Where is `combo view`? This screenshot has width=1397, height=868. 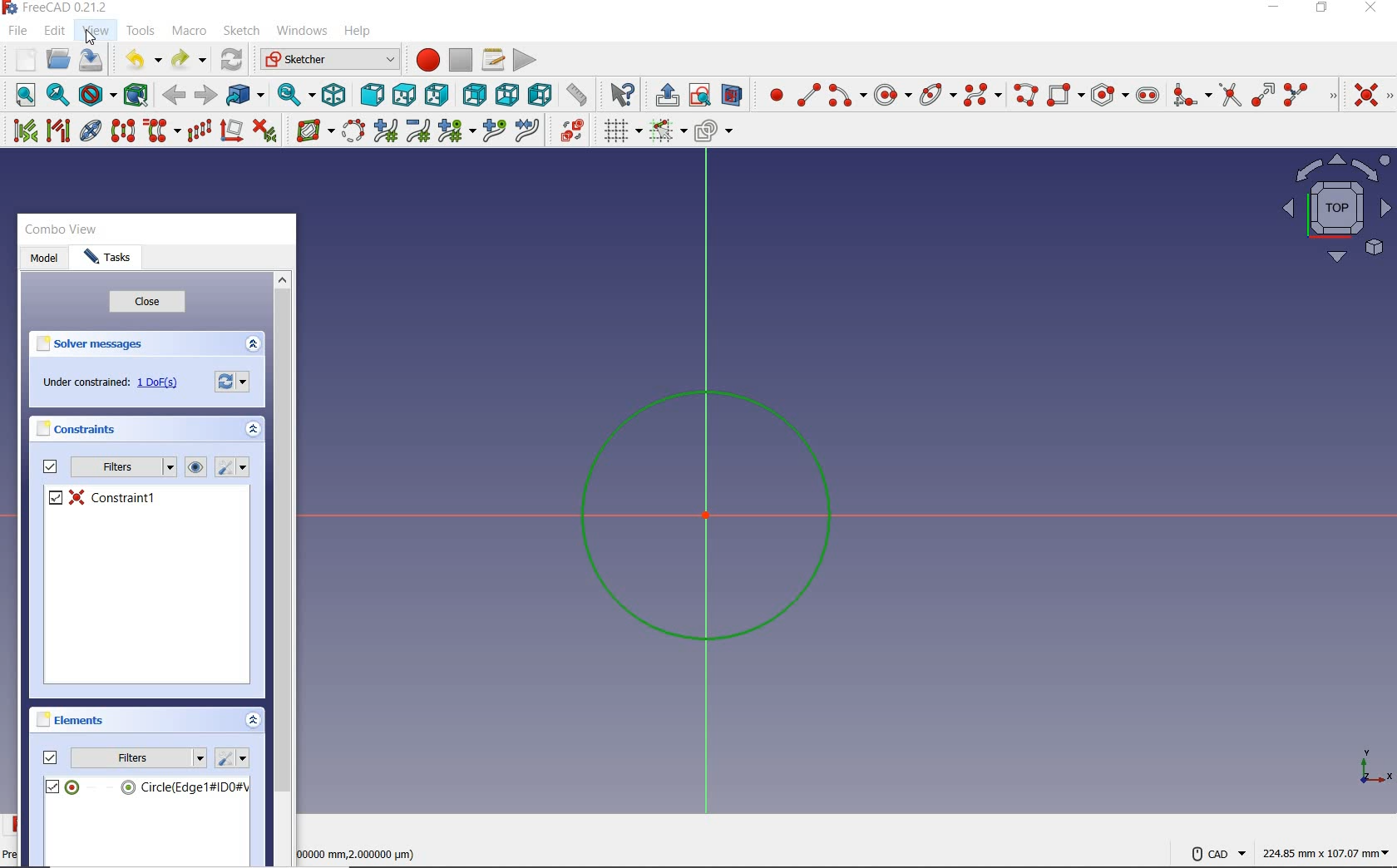
combo view is located at coordinates (65, 231).